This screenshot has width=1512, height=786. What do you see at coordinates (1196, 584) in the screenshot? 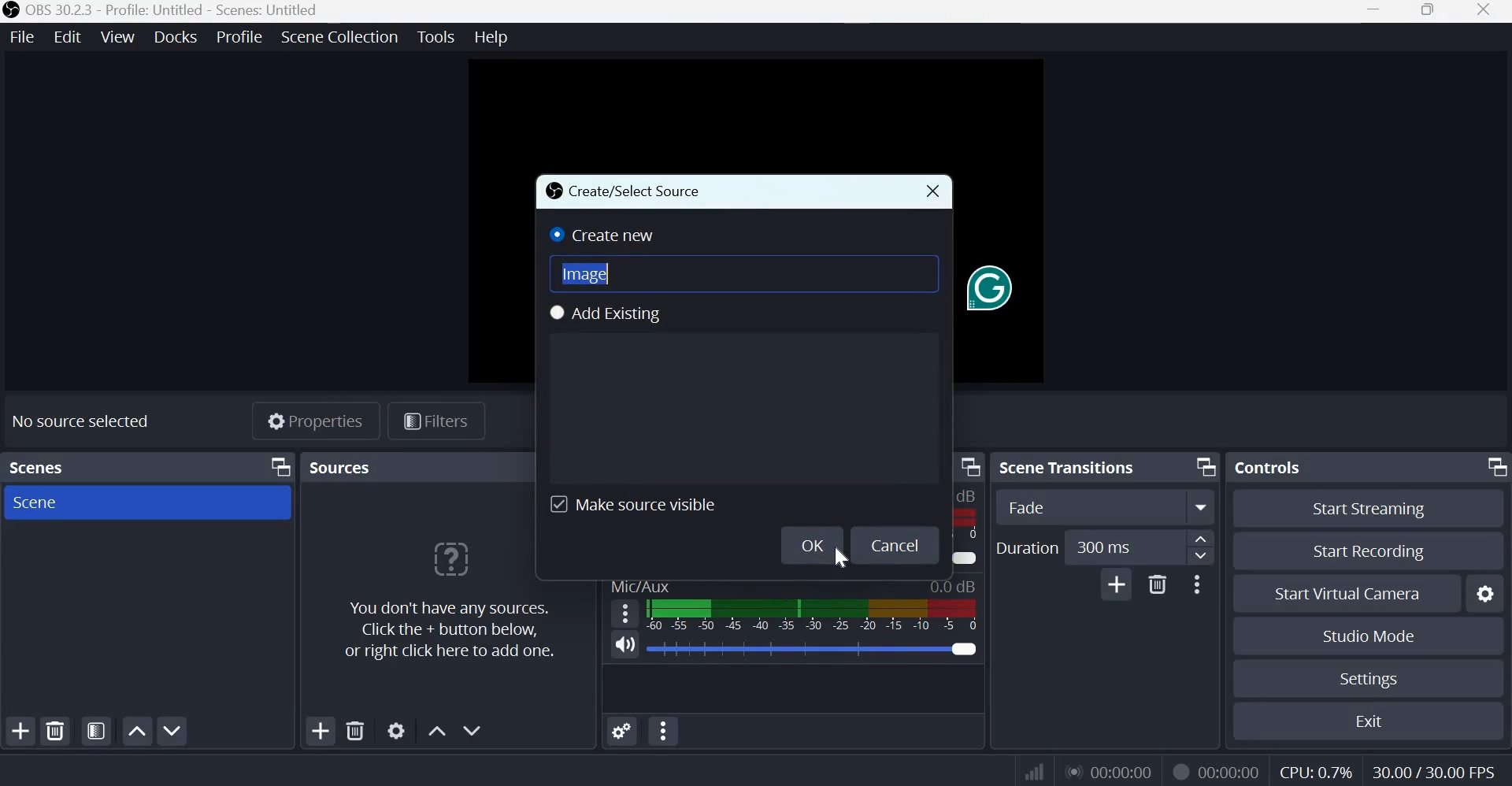
I see `More Options ` at bounding box center [1196, 584].